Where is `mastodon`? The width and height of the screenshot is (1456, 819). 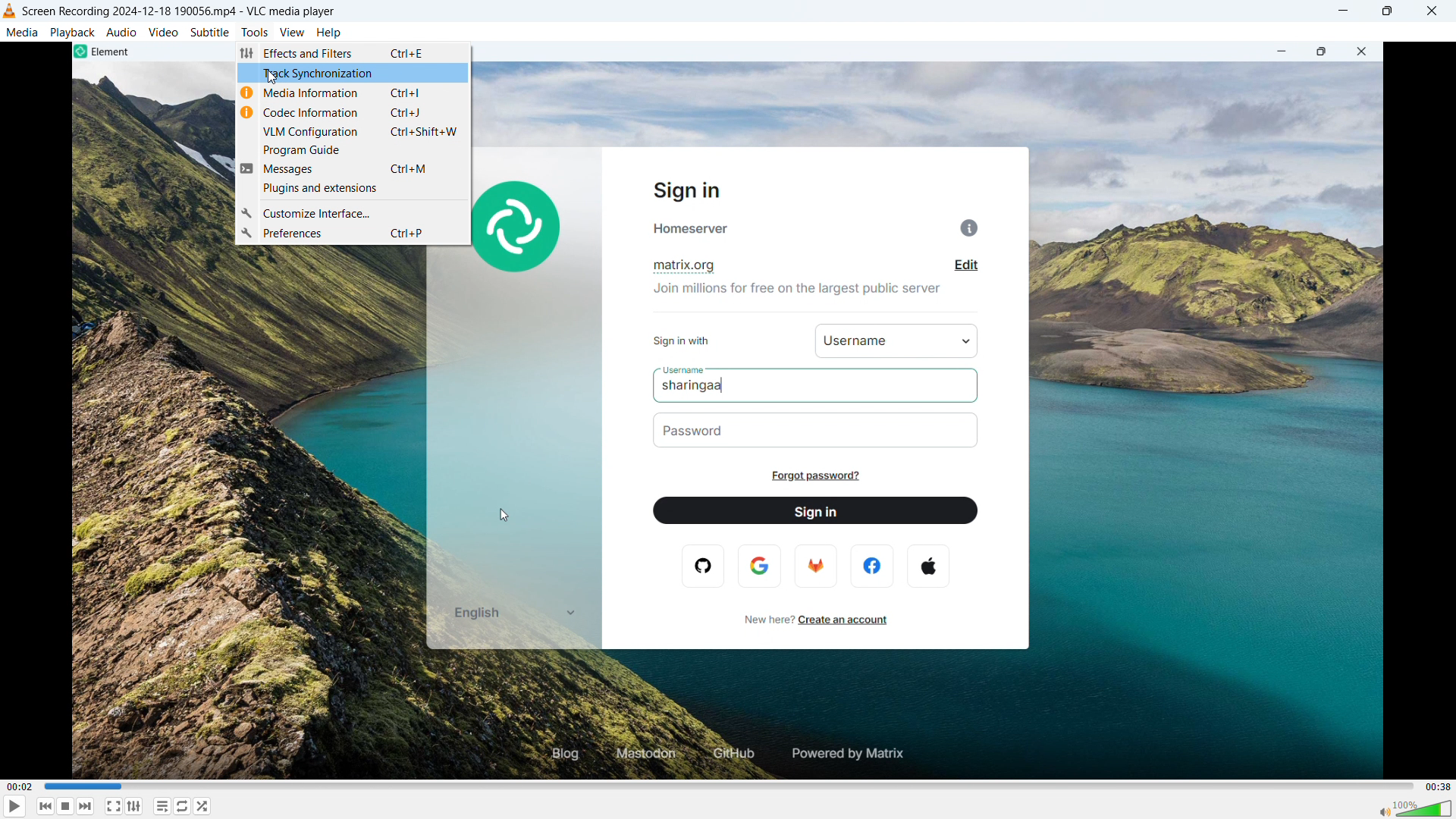
mastodon is located at coordinates (645, 751).